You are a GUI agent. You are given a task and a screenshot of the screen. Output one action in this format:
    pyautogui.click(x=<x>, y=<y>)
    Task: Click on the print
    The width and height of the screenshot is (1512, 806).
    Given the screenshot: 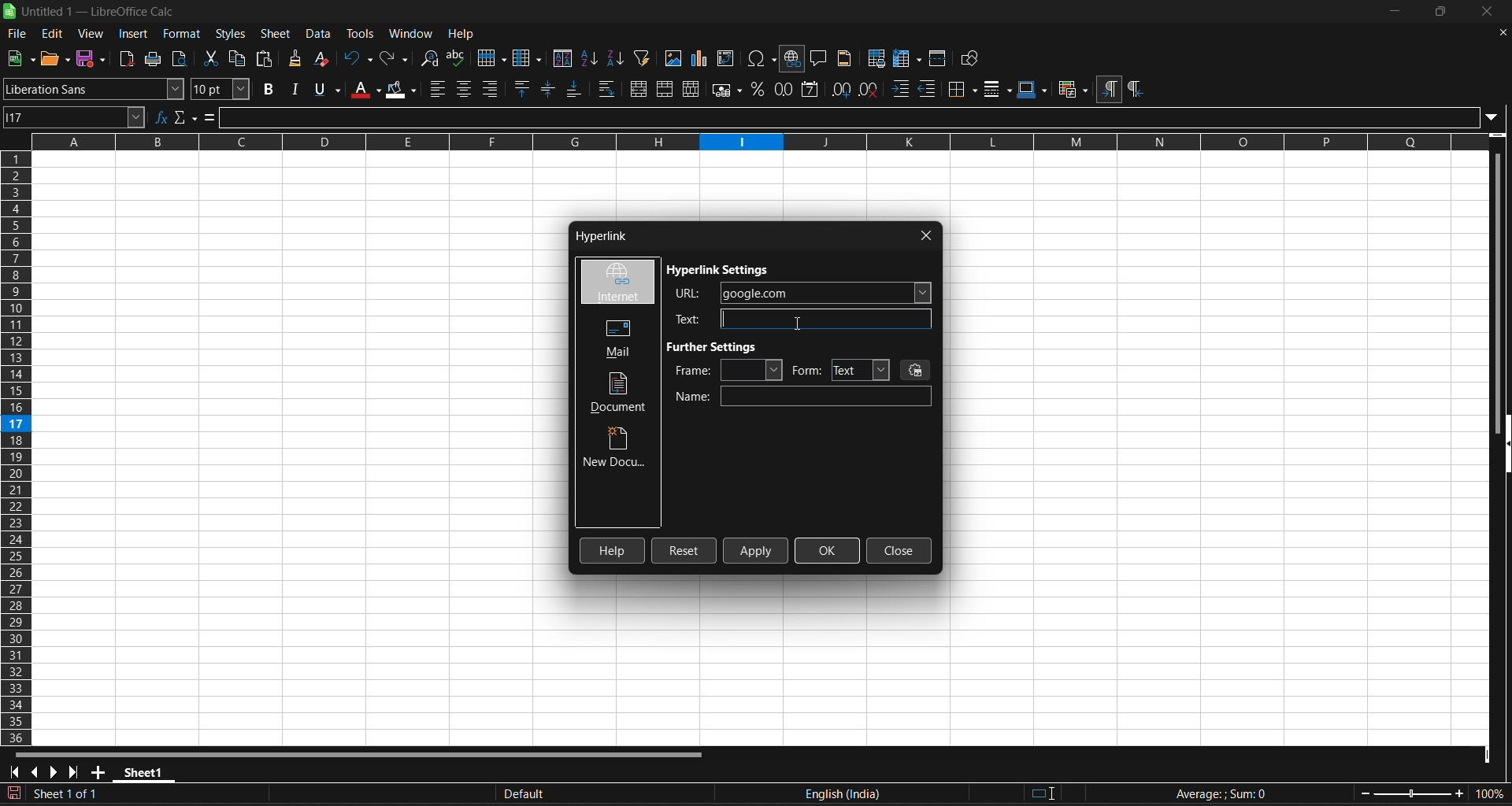 What is the action you would take?
    pyautogui.click(x=157, y=58)
    